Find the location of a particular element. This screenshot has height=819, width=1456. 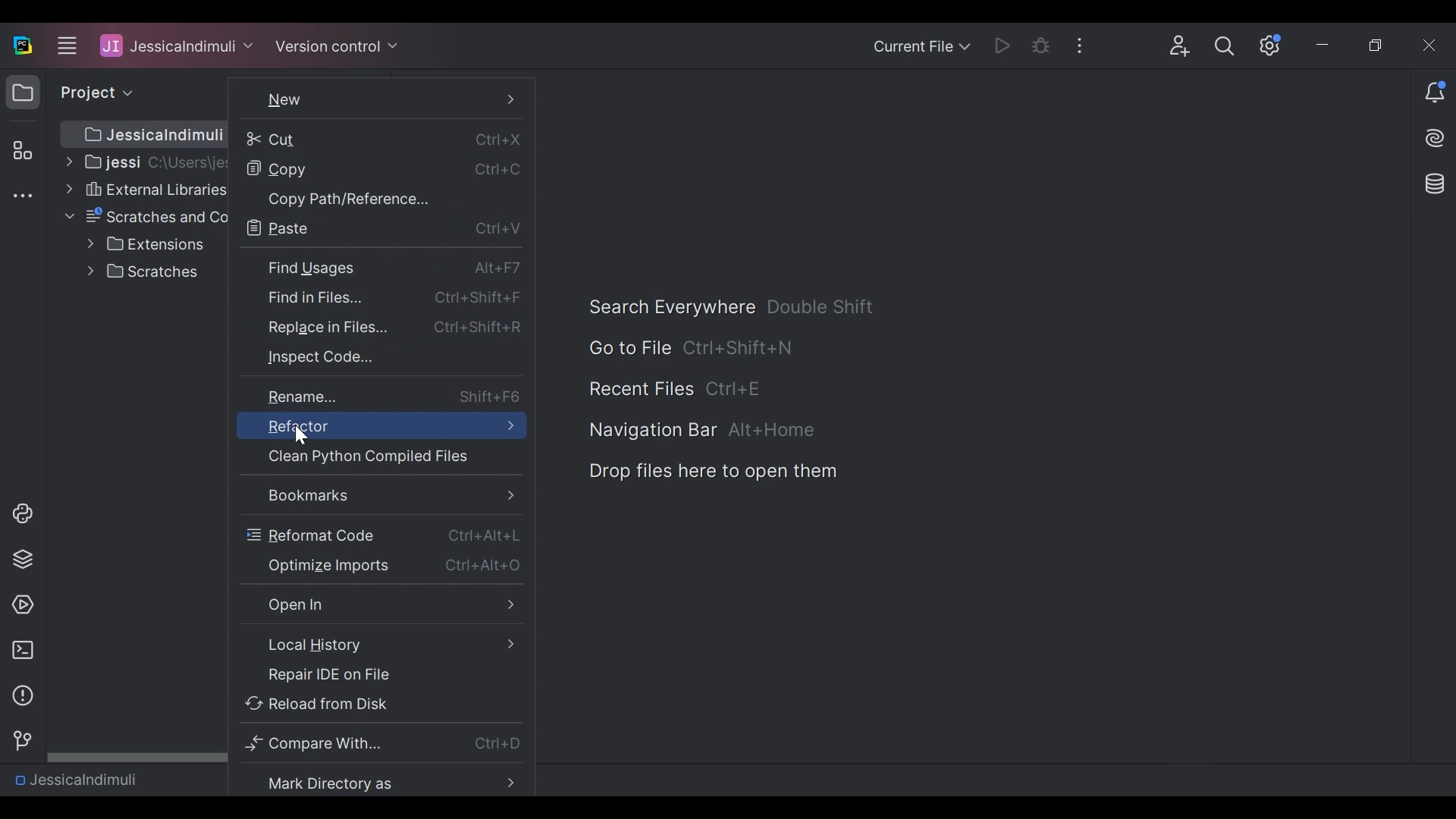

Go To files is located at coordinates (628, 347).